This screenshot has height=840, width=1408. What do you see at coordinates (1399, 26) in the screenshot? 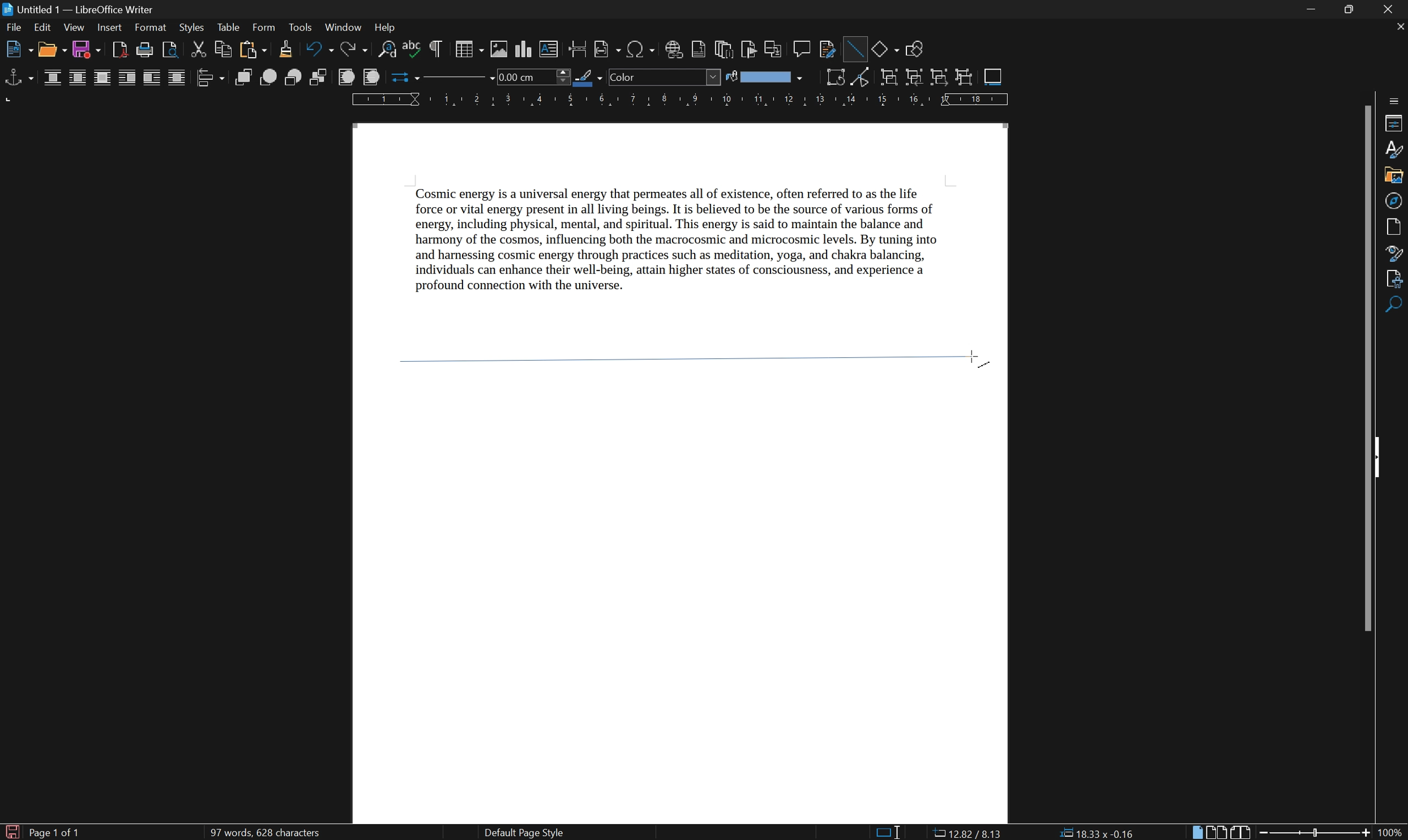
I see `close` at bounding box center [1399, 26].